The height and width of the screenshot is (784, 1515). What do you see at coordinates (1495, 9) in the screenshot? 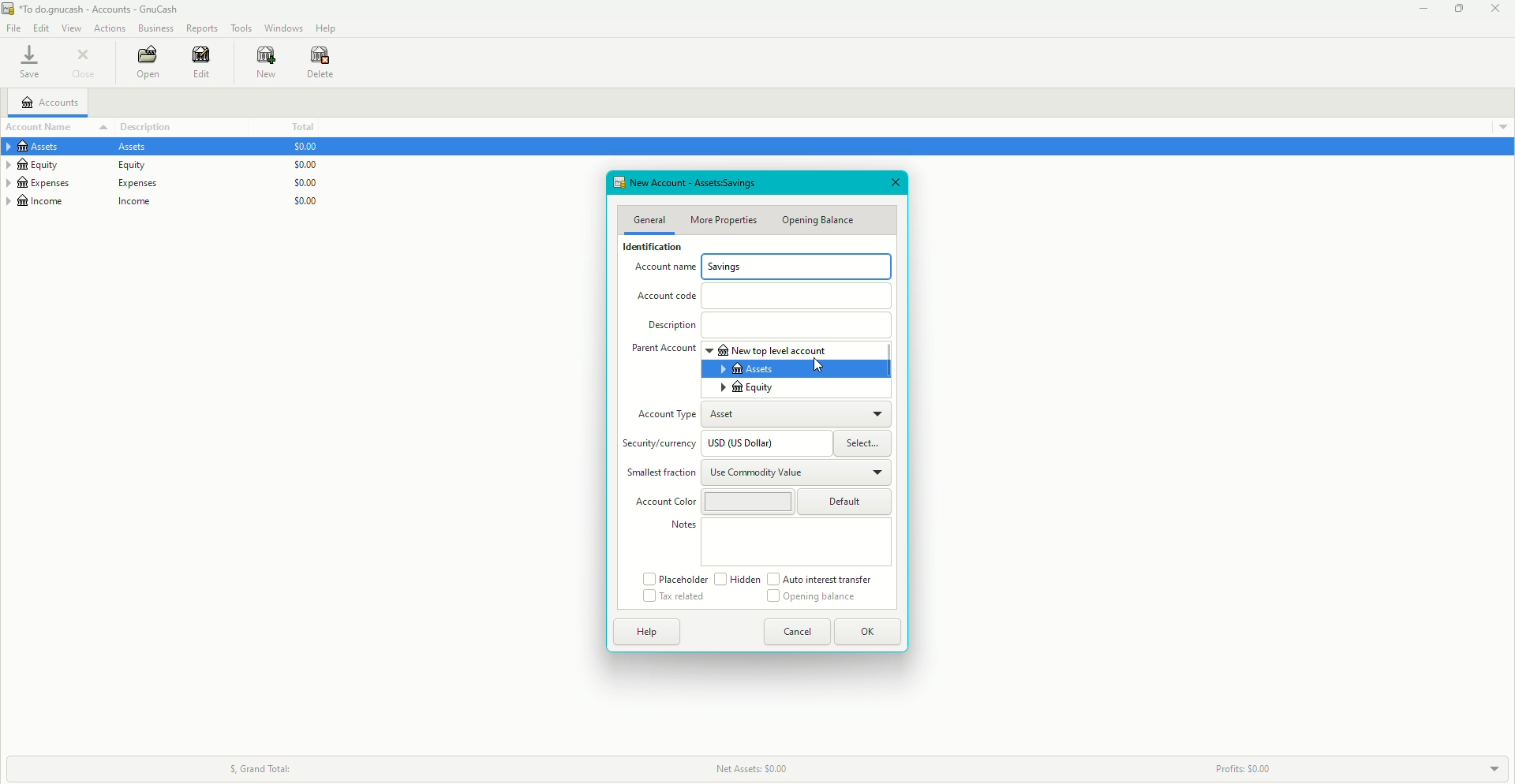
I see `Close` at bounding box center [1495, 9].